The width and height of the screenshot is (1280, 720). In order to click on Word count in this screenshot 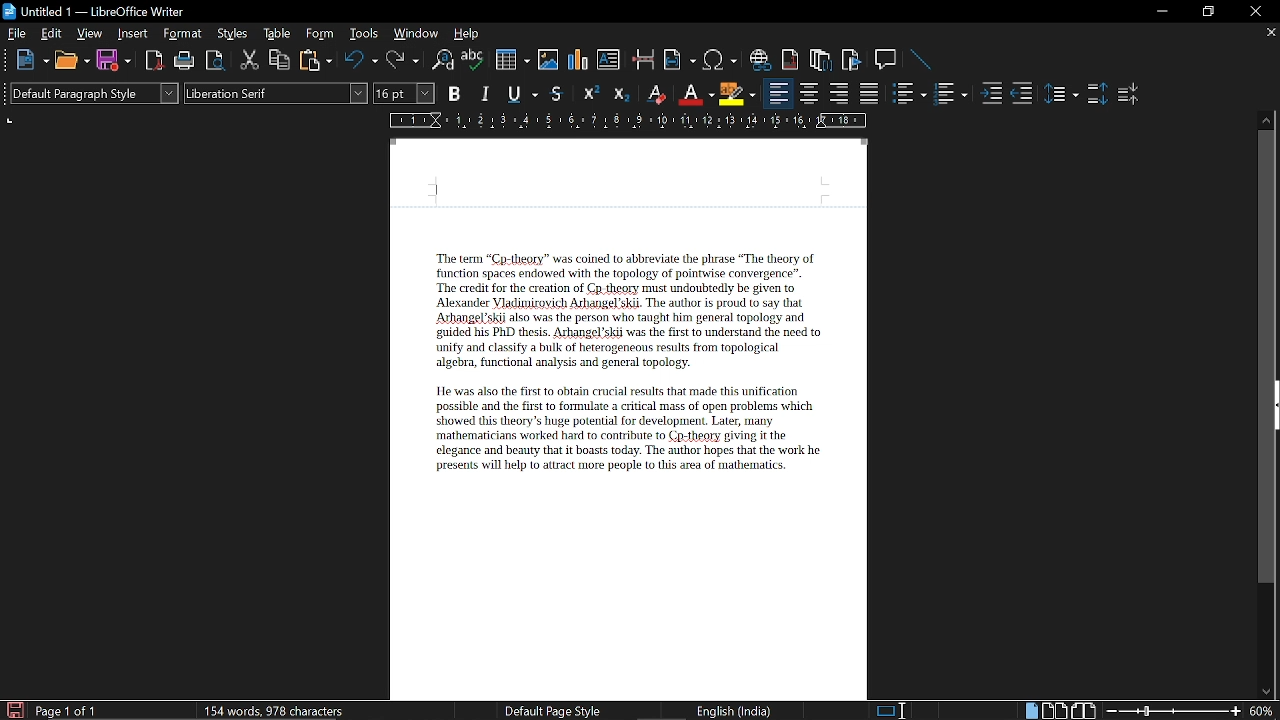, I will do `click(295, 710)`.